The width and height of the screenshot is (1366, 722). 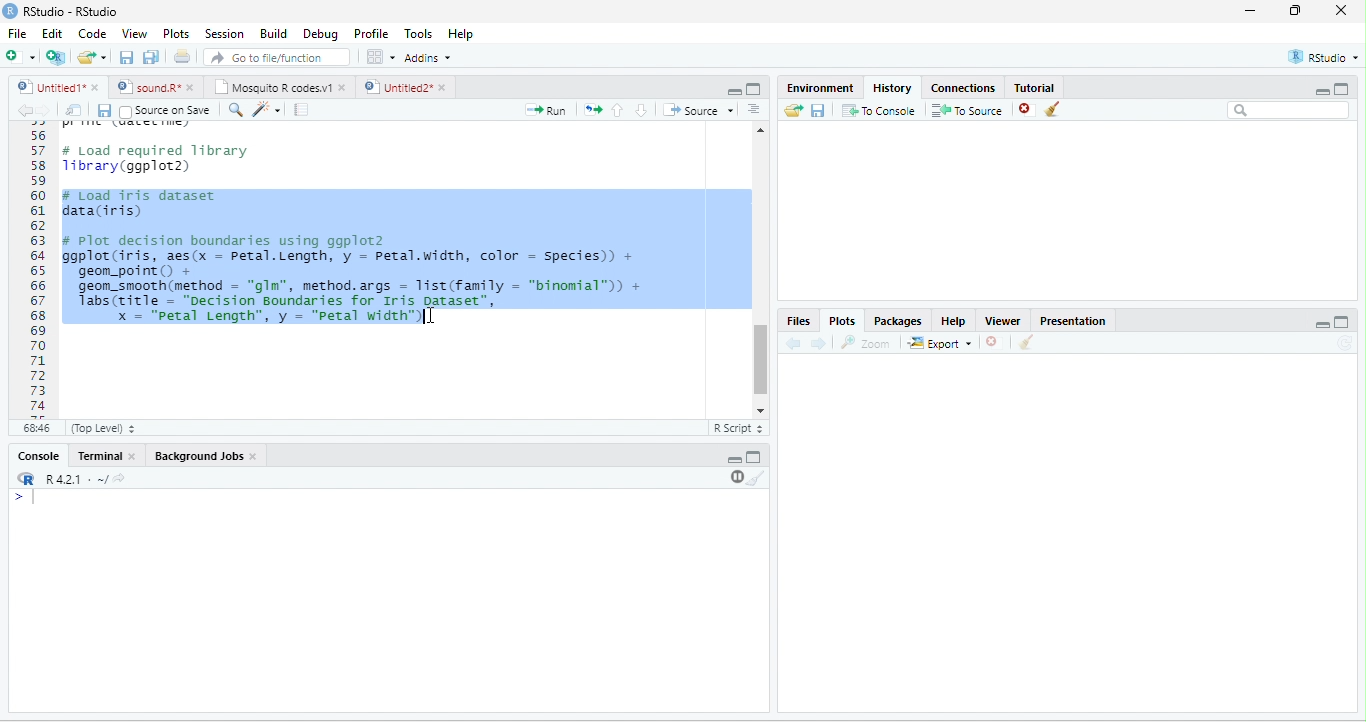 I want to click on Plots, so click(x=843, y=322).